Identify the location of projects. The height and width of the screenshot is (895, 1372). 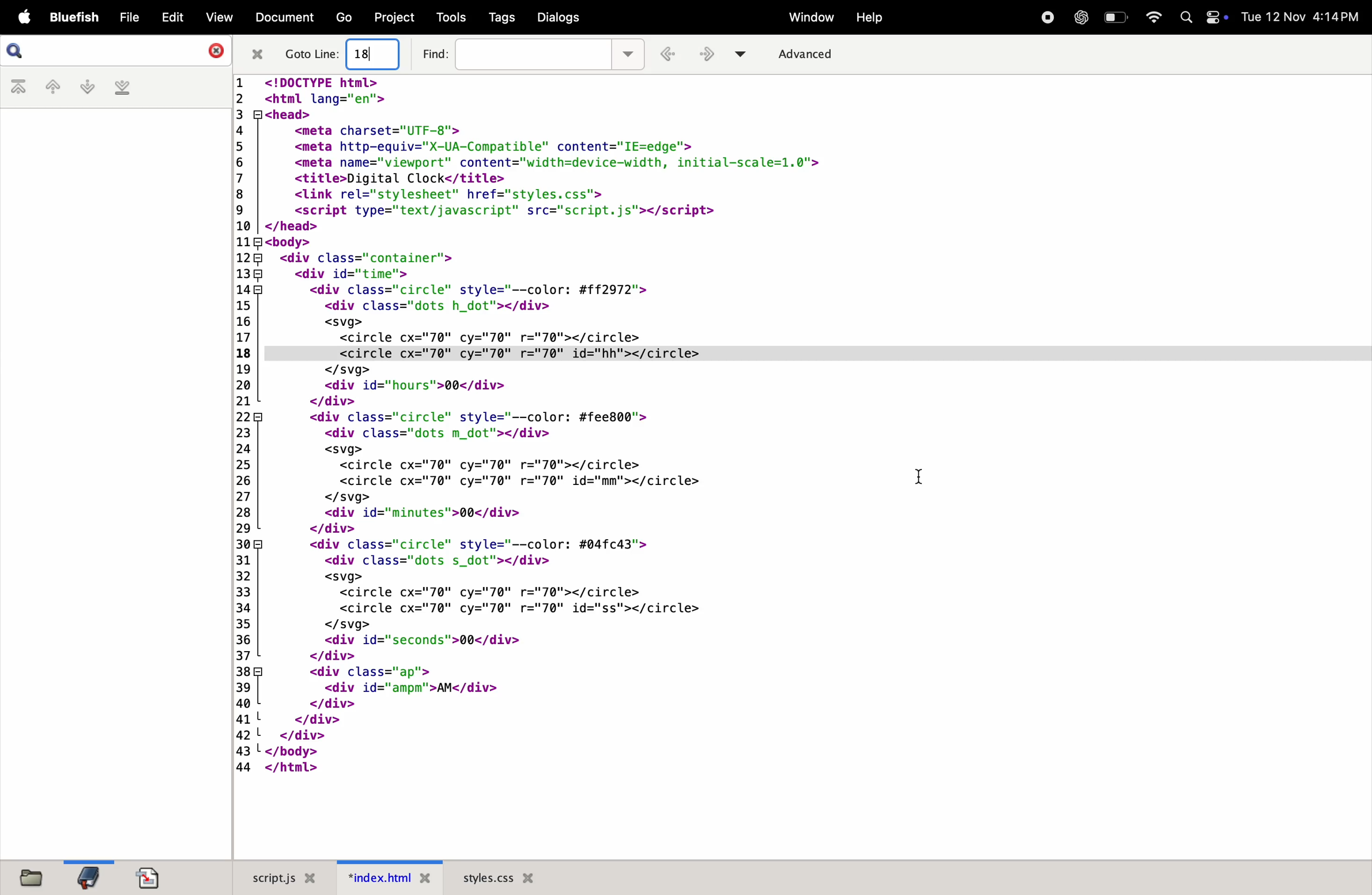
(392, 17).